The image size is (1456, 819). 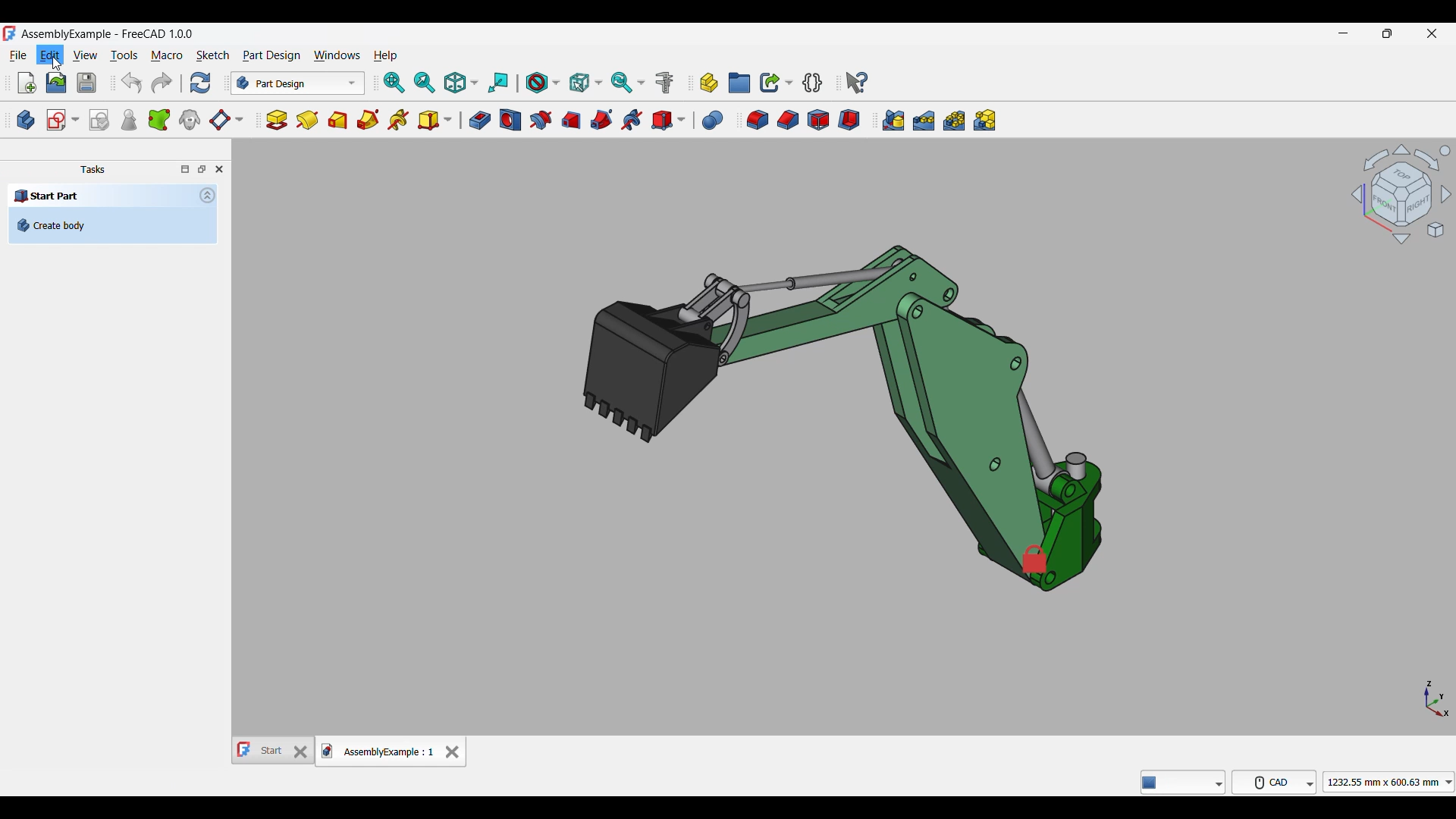 I want to click on Linaer pattern, so click(x=924, y=121).